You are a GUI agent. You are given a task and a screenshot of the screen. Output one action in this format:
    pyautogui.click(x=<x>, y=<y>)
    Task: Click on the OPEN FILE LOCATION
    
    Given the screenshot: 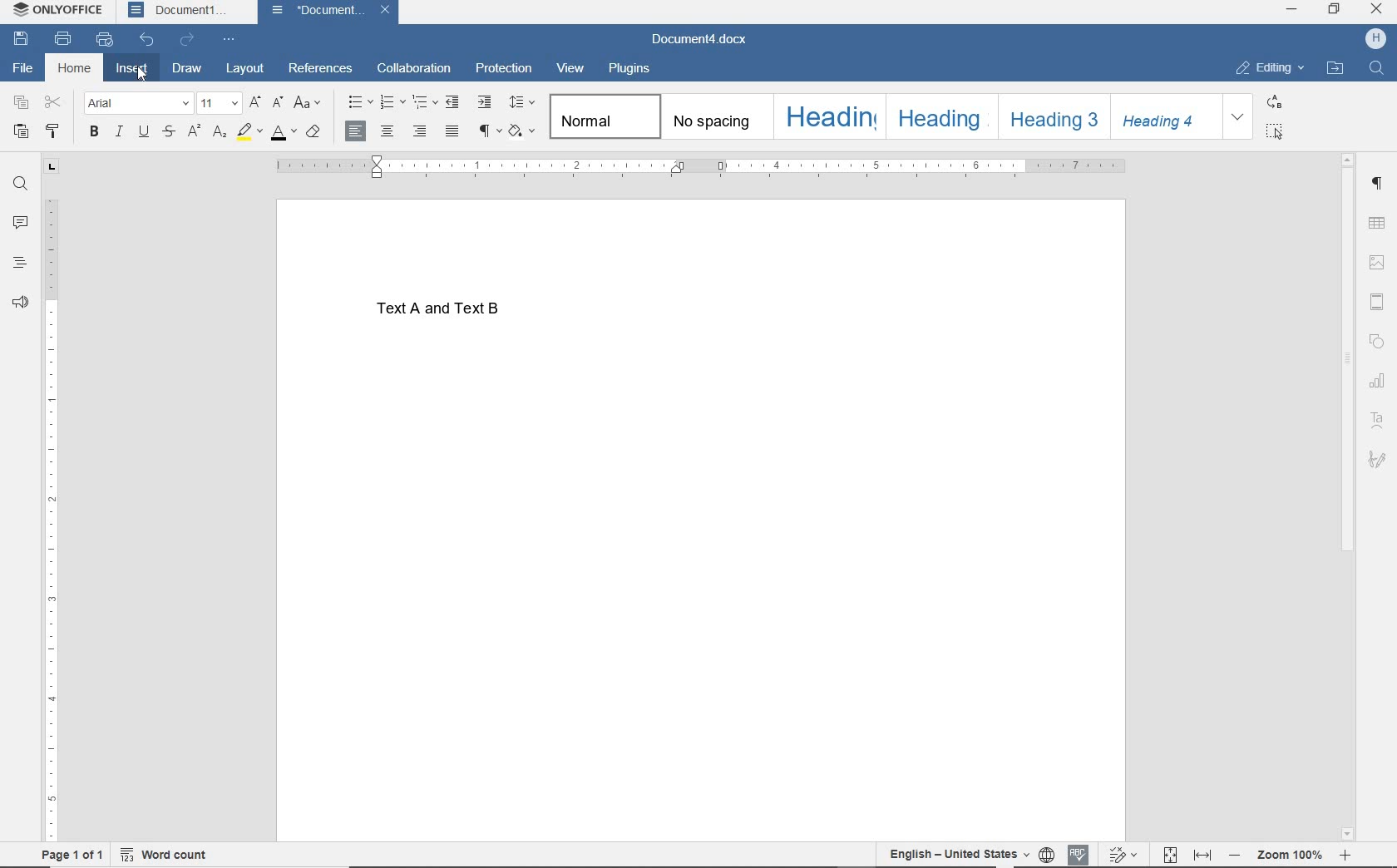 What is the action you would take?
    pyautogui.click(x=1336, y=68)
    